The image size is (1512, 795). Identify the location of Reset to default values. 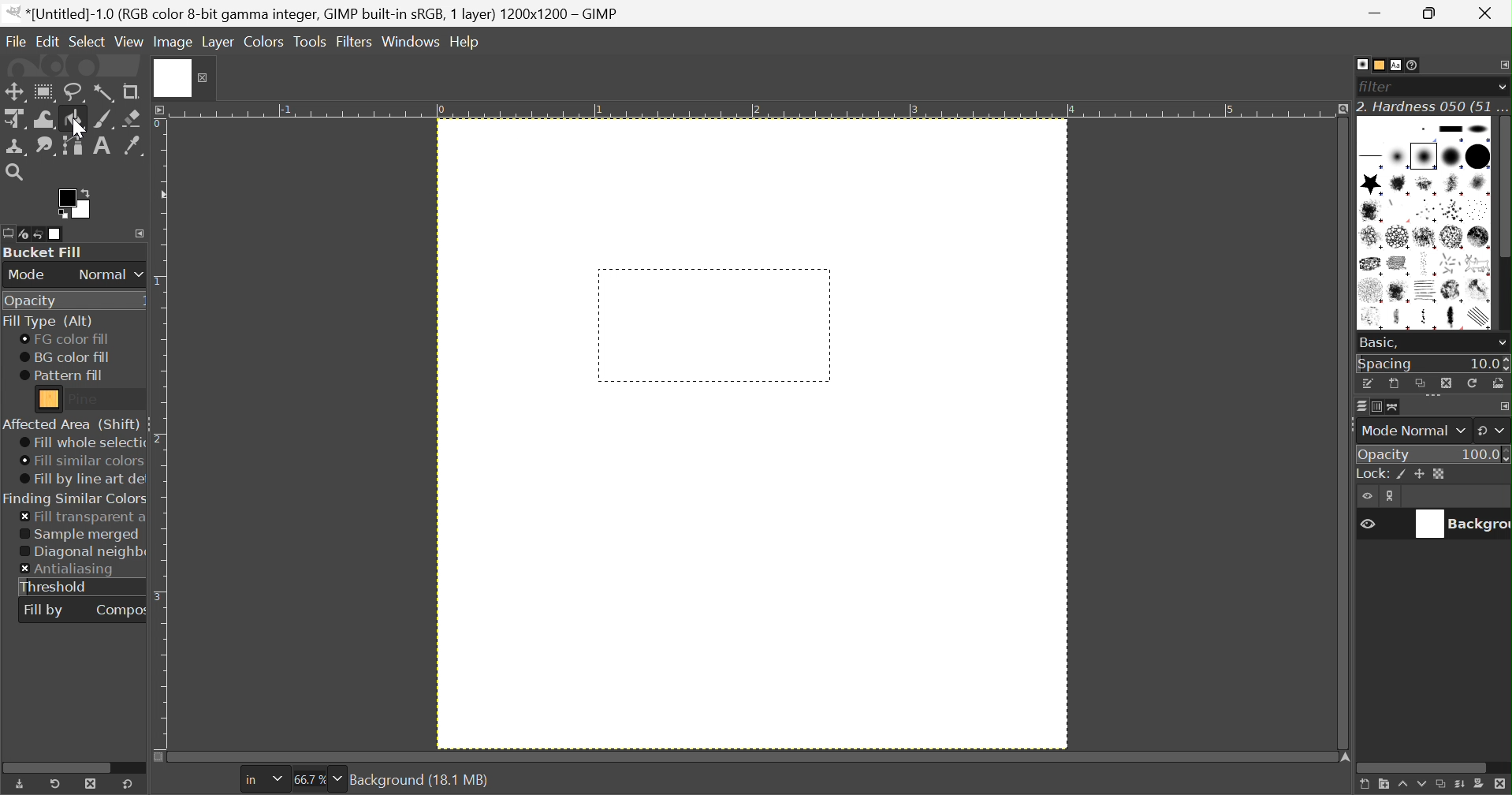
(128, 783).